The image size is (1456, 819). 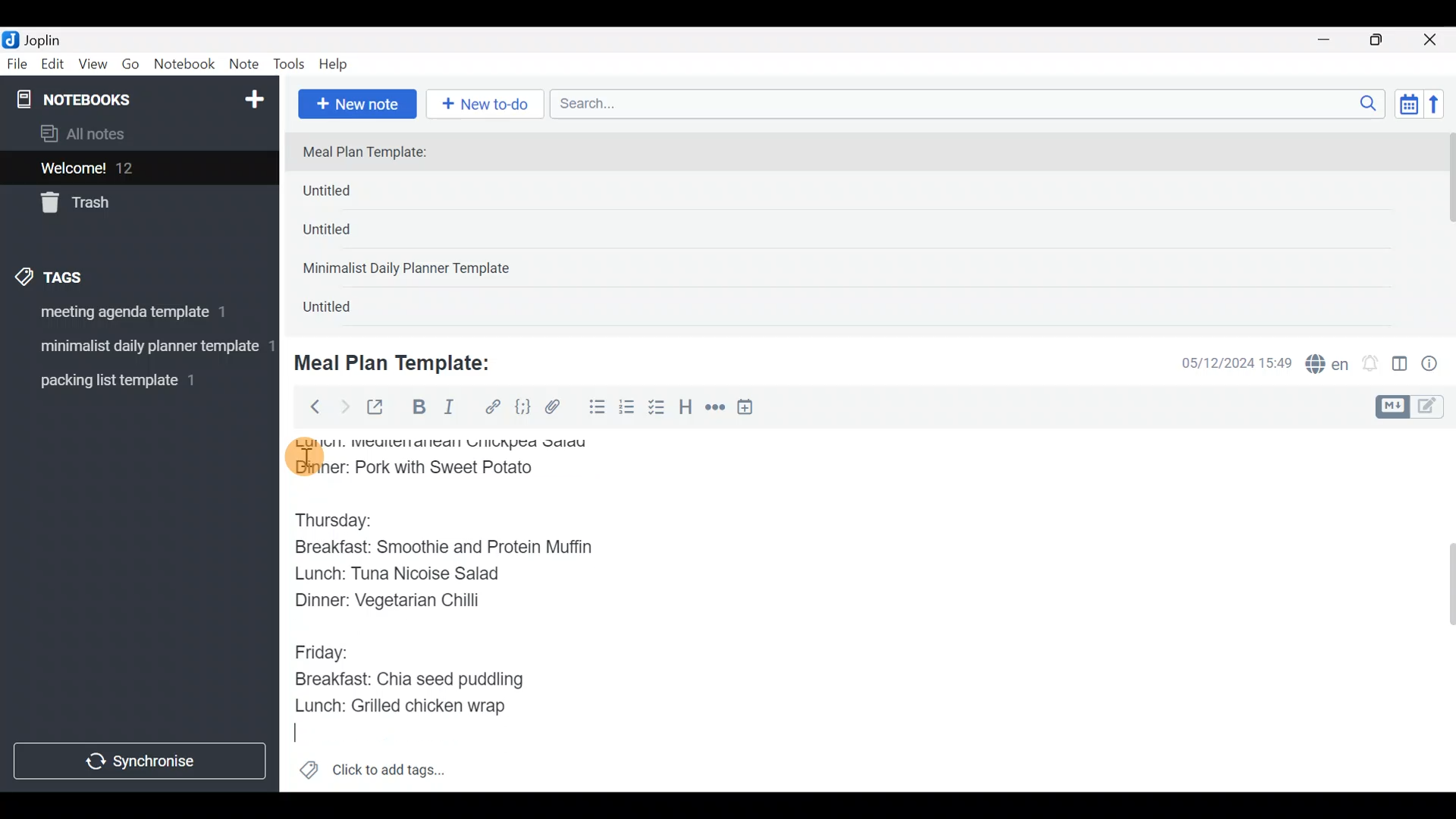 What do you see at coordinates (1446, 229) in the screenshot?
I see `scroll bar` at bounding box center [1446, 229].